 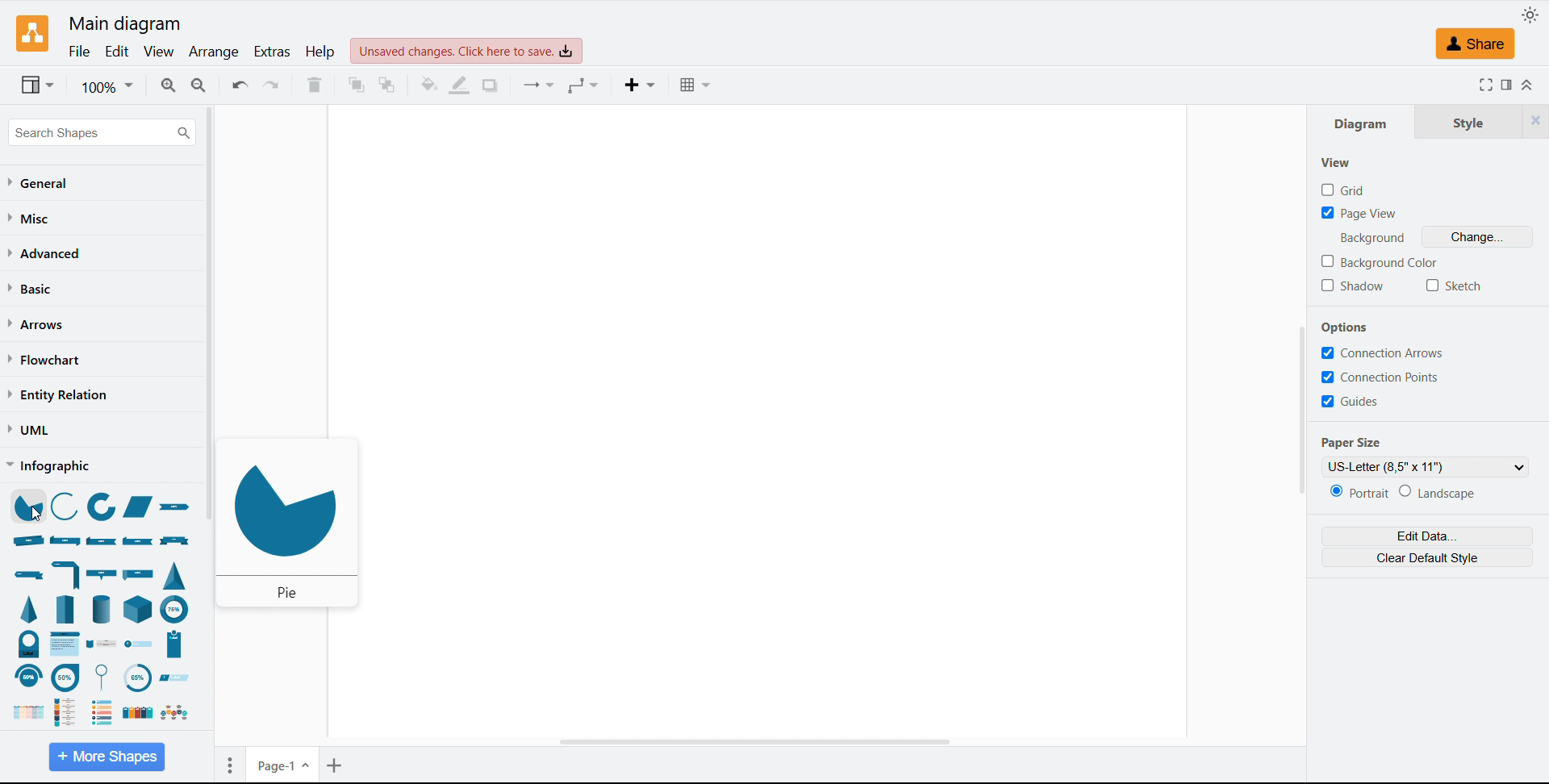 I want to click on Drawing space , so click(x=770, y=422).